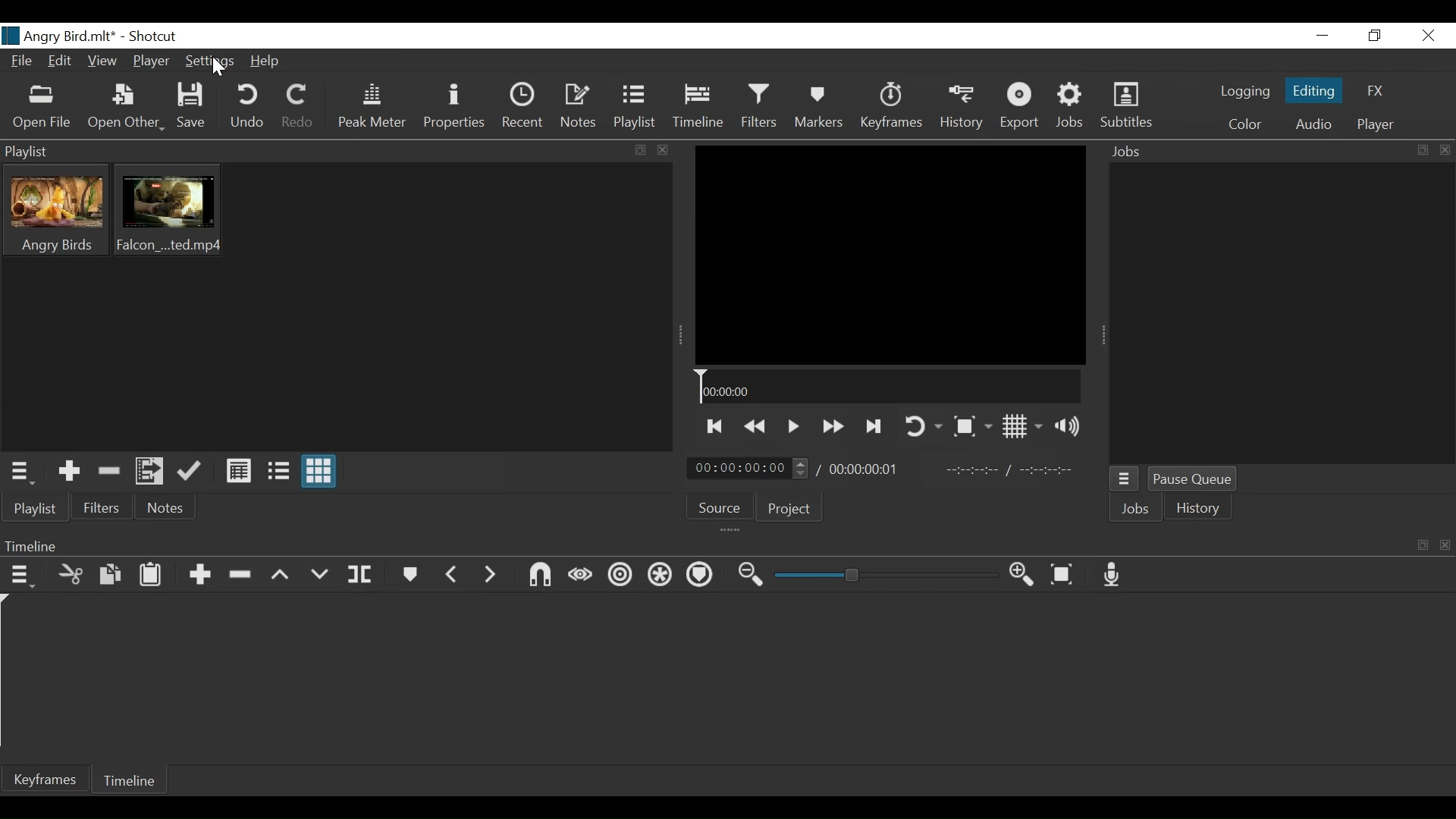 The width and height of the screenshot is (1456, 819). What do you see at coordinates (1063, 574) in the screenshot?
I see `Zoom timeline to fit` at bounding box center [1063, 574].